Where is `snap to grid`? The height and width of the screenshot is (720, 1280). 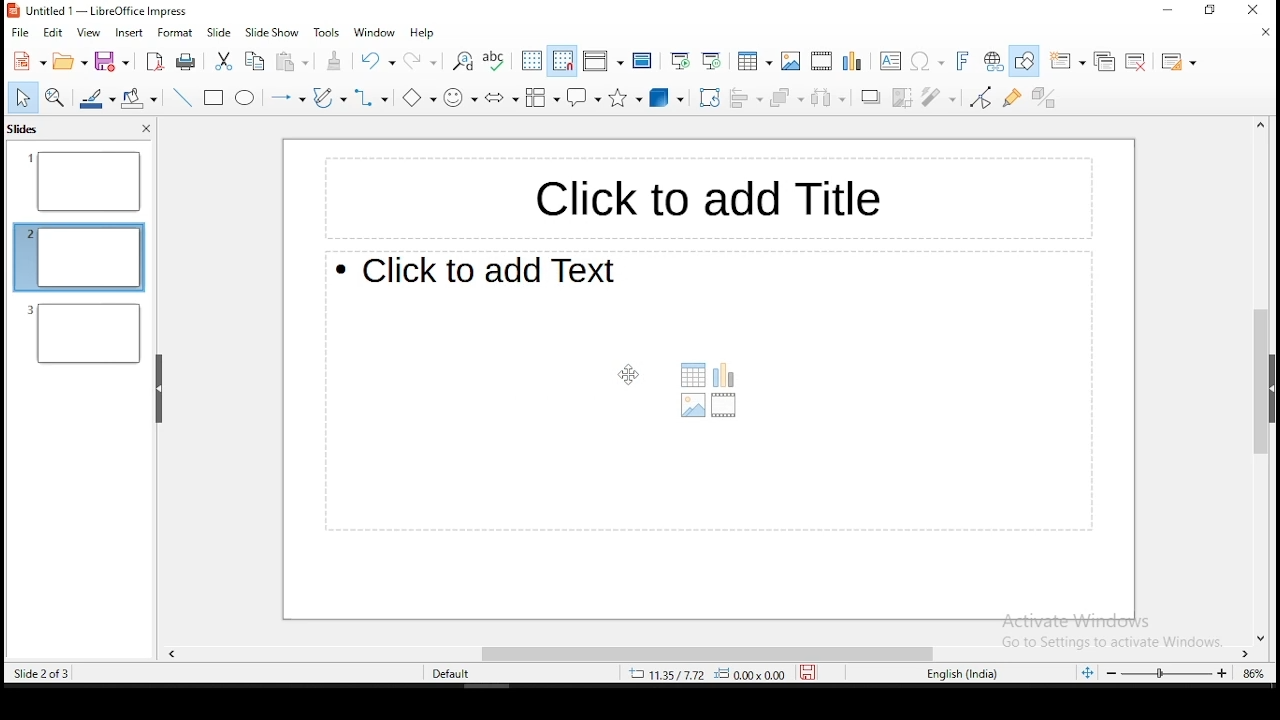 snap to grid is located at coordinates (560, 62).